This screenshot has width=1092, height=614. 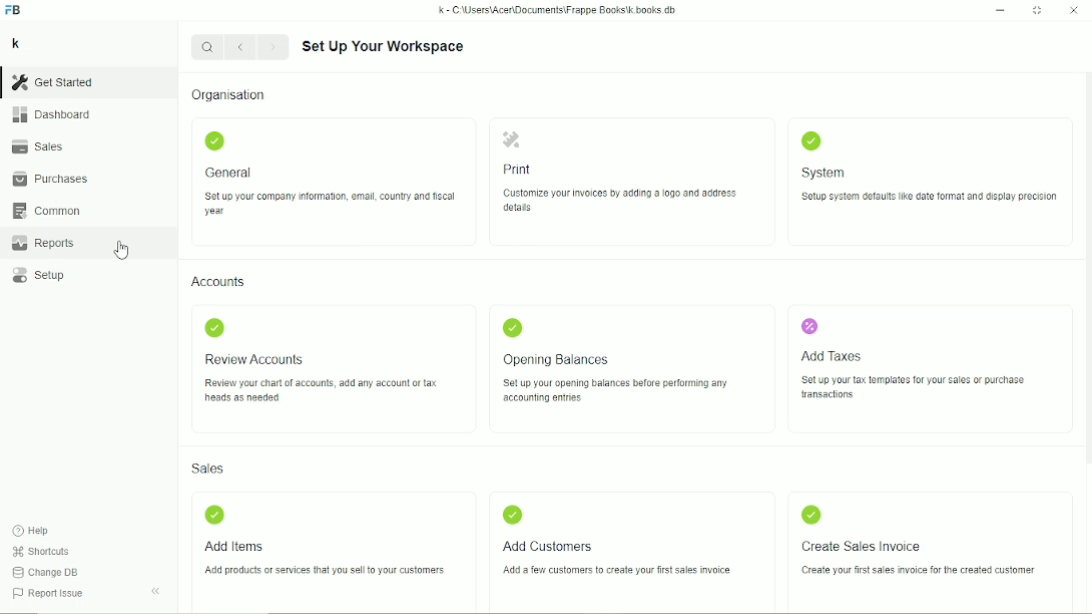 I want to click on Review accounts review your chart of accounts, add any account or tax heads as needed., so click(x=319, y=360).